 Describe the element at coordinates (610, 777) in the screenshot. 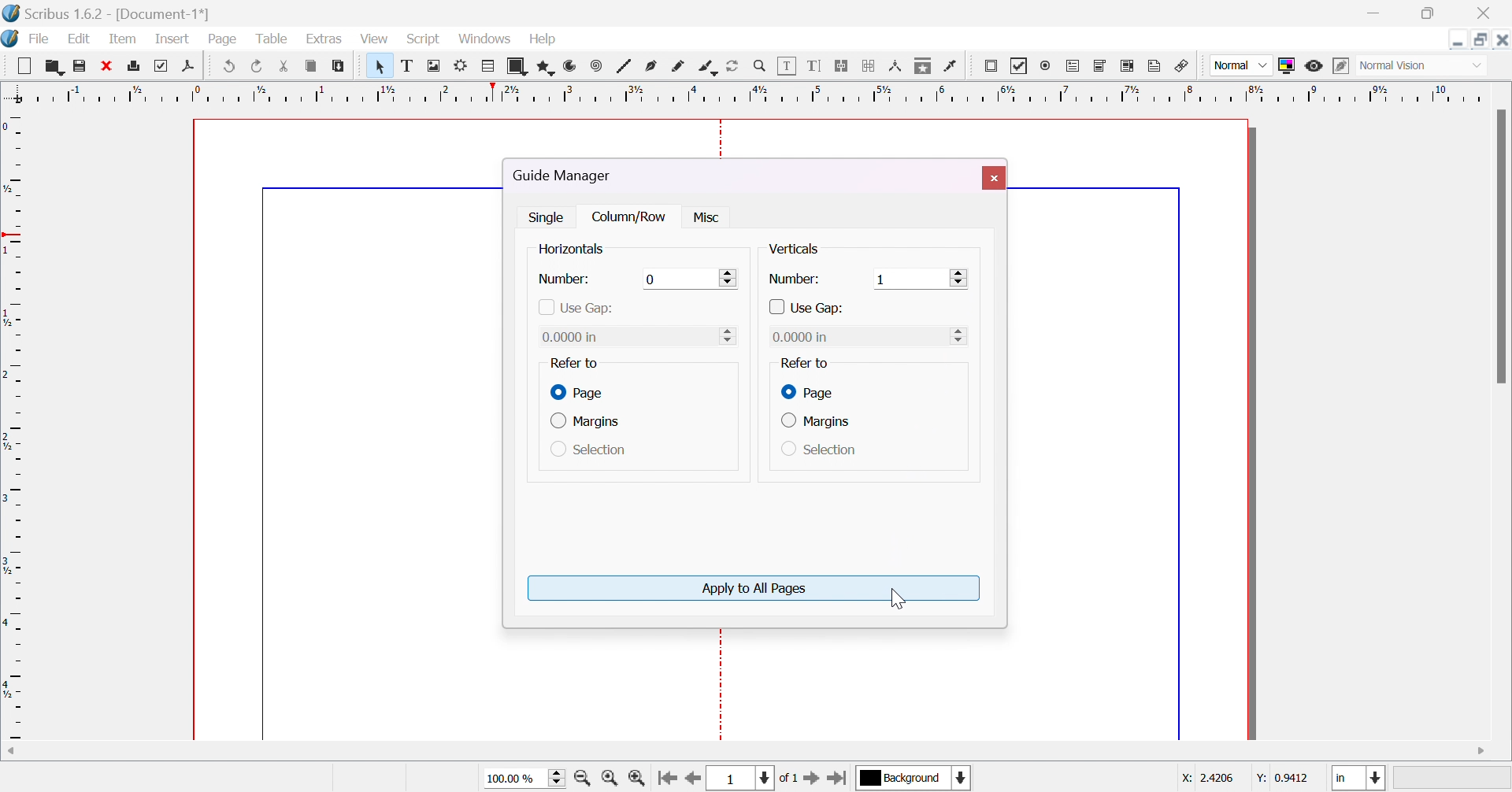

I see `zoom to 100%` at that location.